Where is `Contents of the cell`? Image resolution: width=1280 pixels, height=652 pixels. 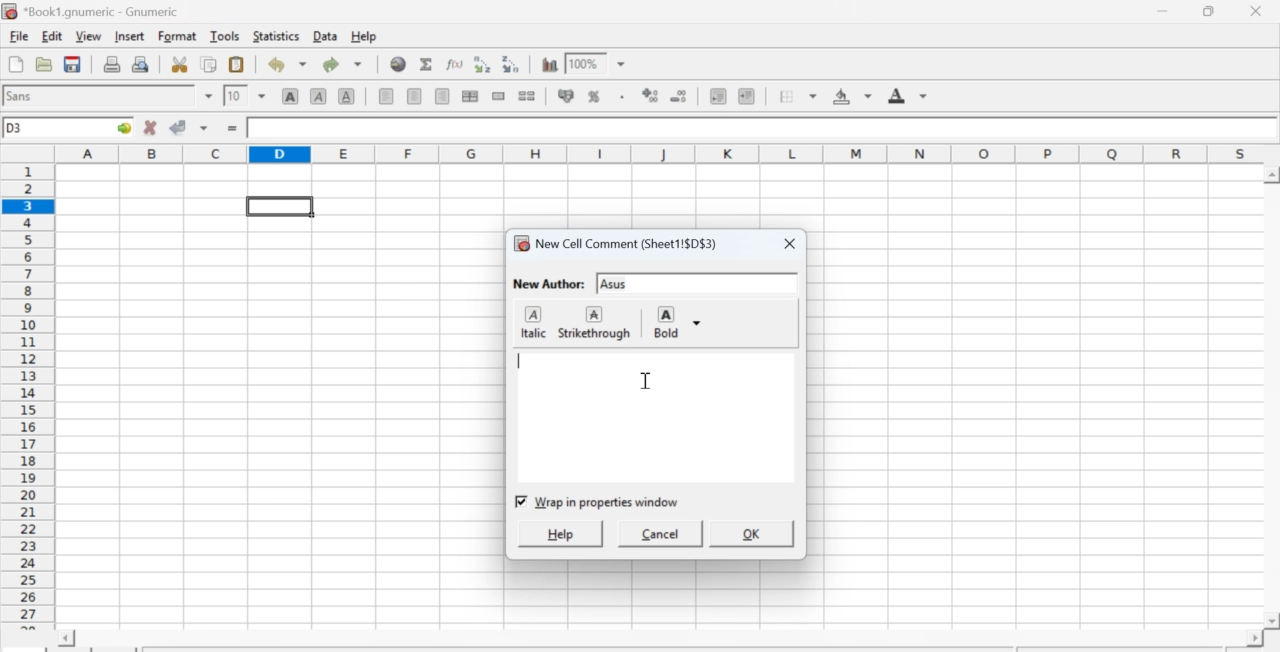 Contents of the cell is located at coordinates (754, 128).